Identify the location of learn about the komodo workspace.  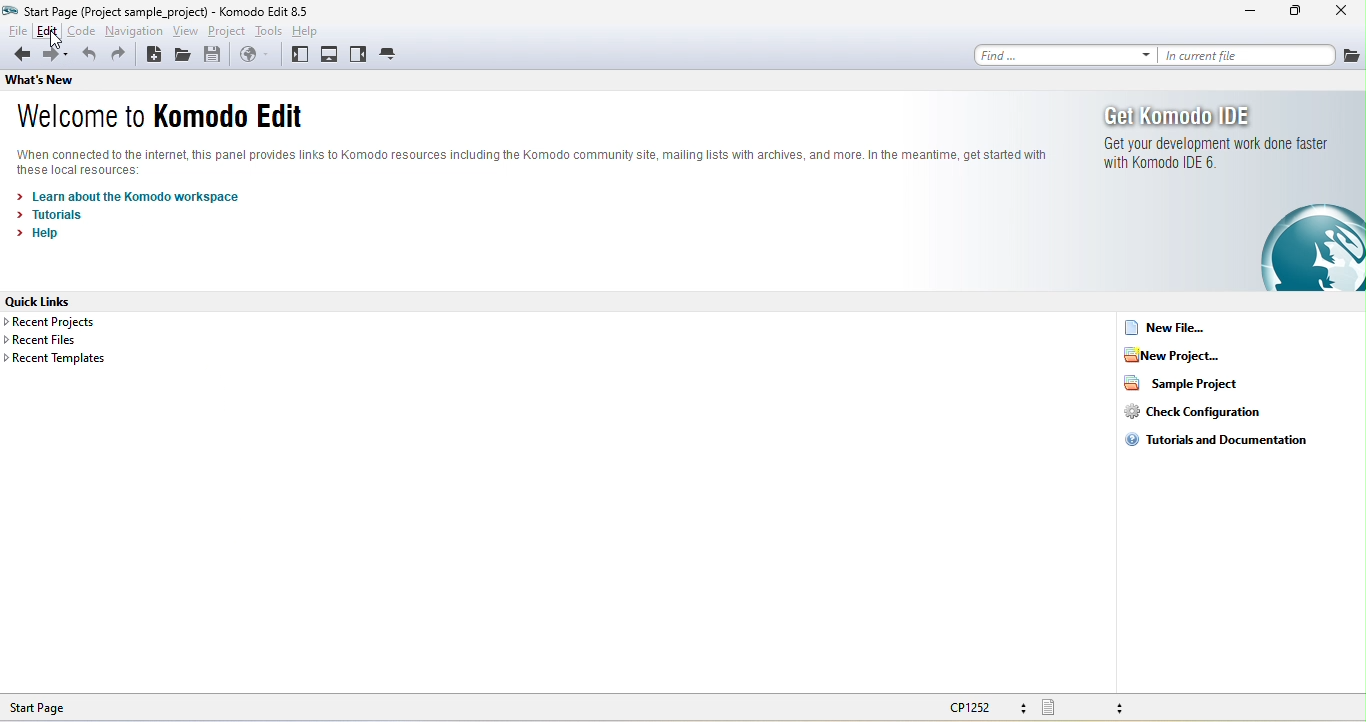
(126, 195).